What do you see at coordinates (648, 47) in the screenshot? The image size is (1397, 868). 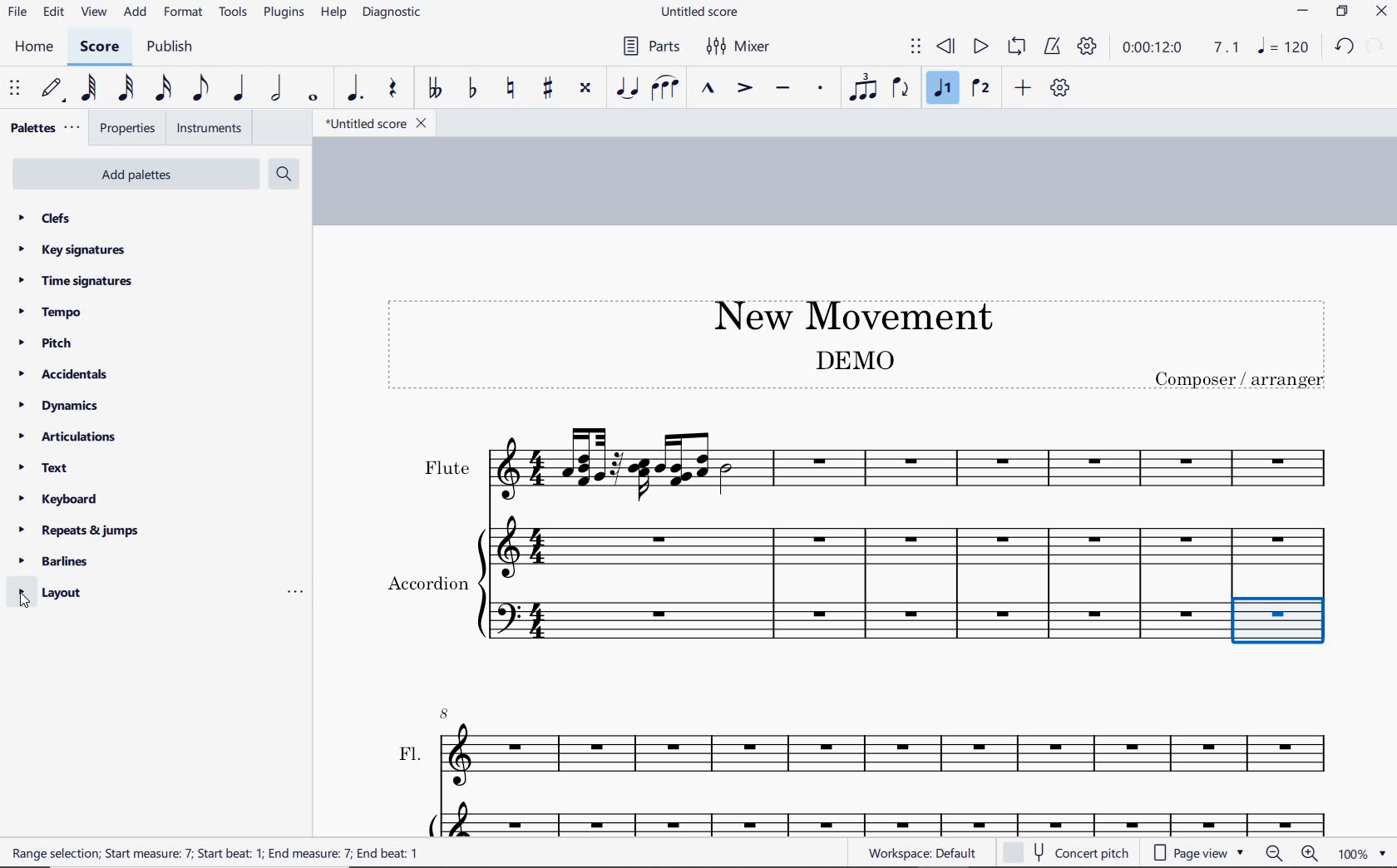 I see `Parts` at bounding box center [648, 47].